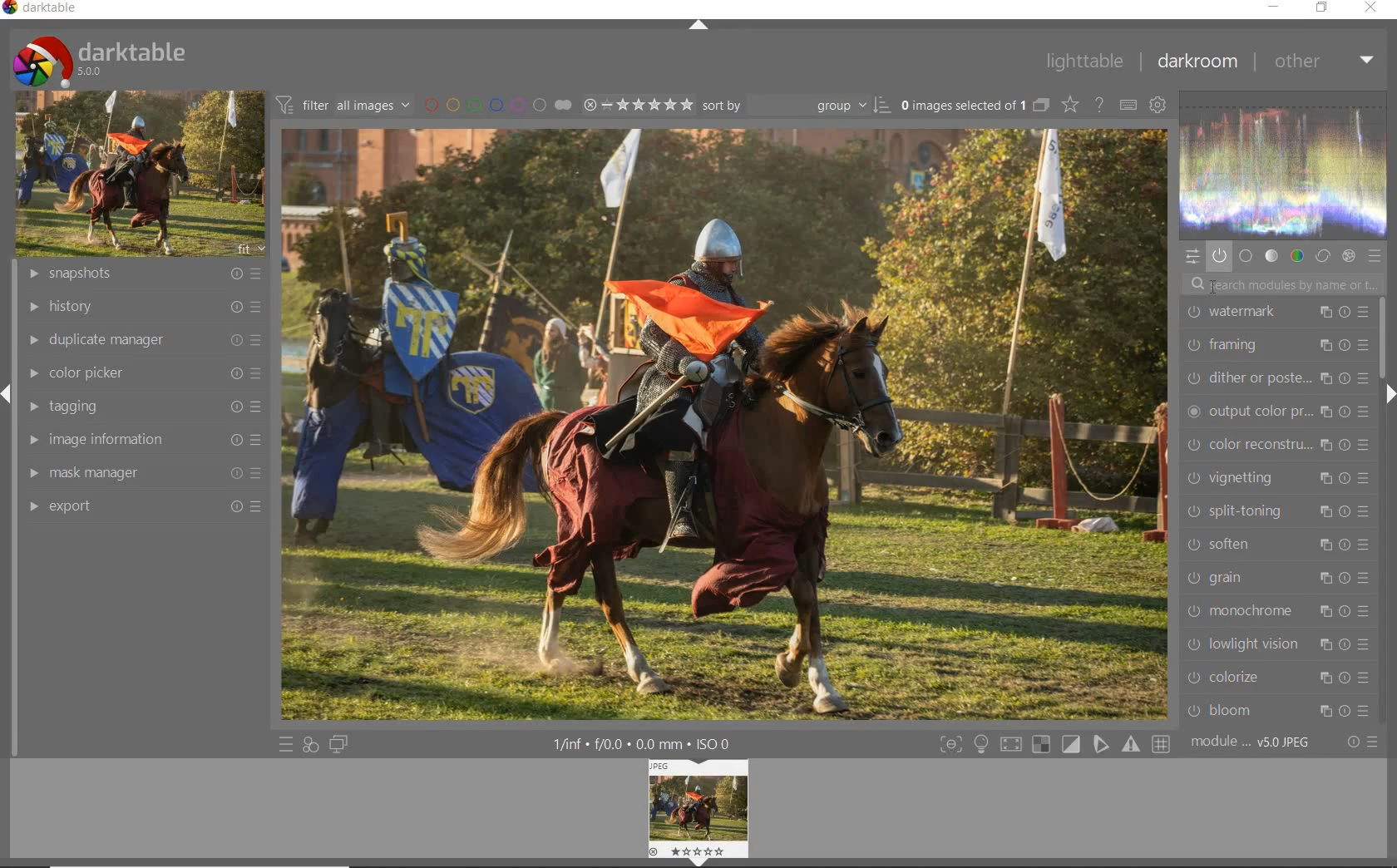 The height and width of the screenshot is (868, 1397). What do you see at coordinates (141, 407) in the screenshot?
I see `tagging` at bounding box center [141, 407].